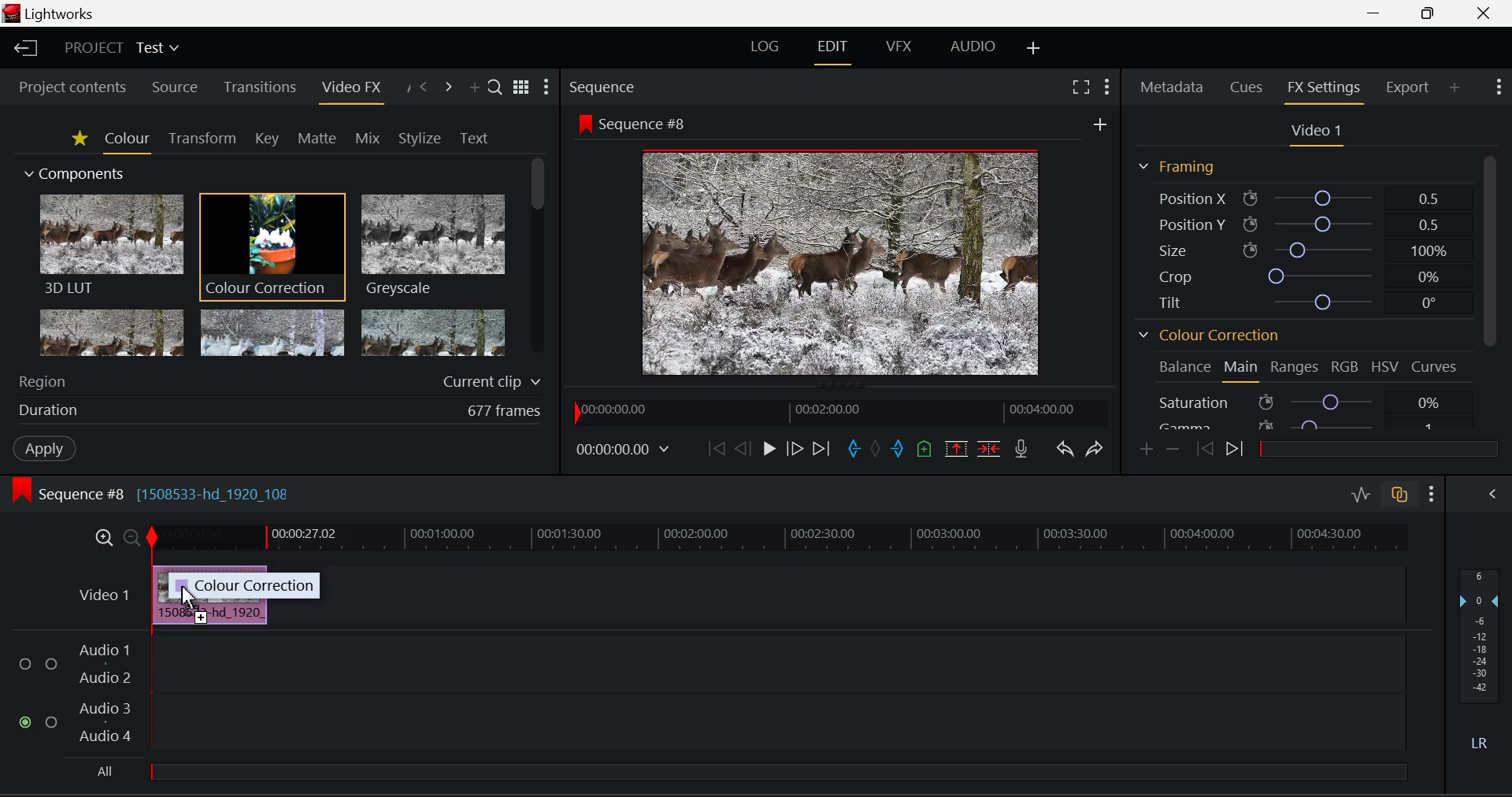 The height and width of the screenshot is (797, 1512). What do you see at coordinates (260, 87) in the screenshot?
I see `Transitions` at bounding box center [260, 87].